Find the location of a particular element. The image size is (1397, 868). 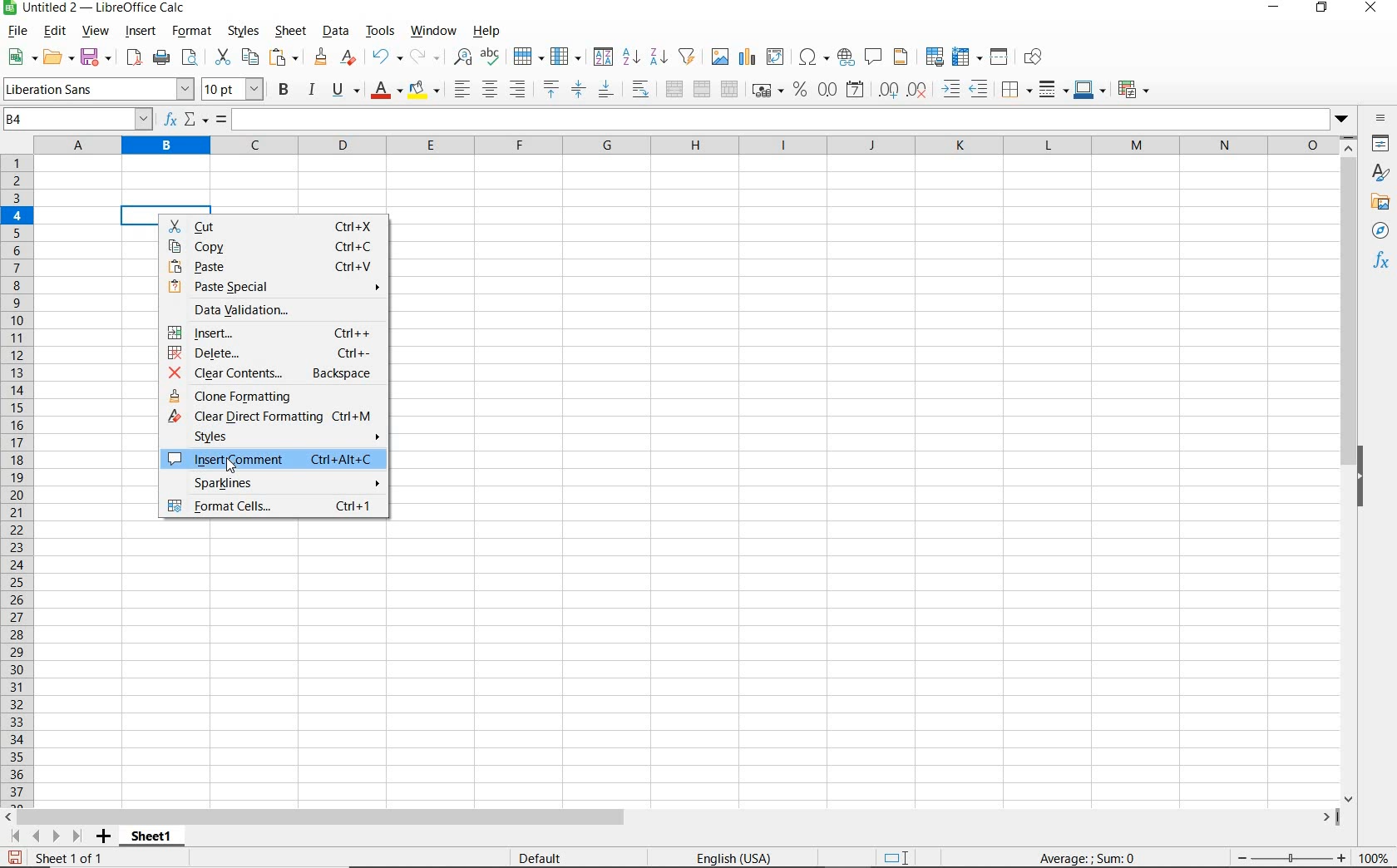

insert comment is located at coordinates (874, 57).